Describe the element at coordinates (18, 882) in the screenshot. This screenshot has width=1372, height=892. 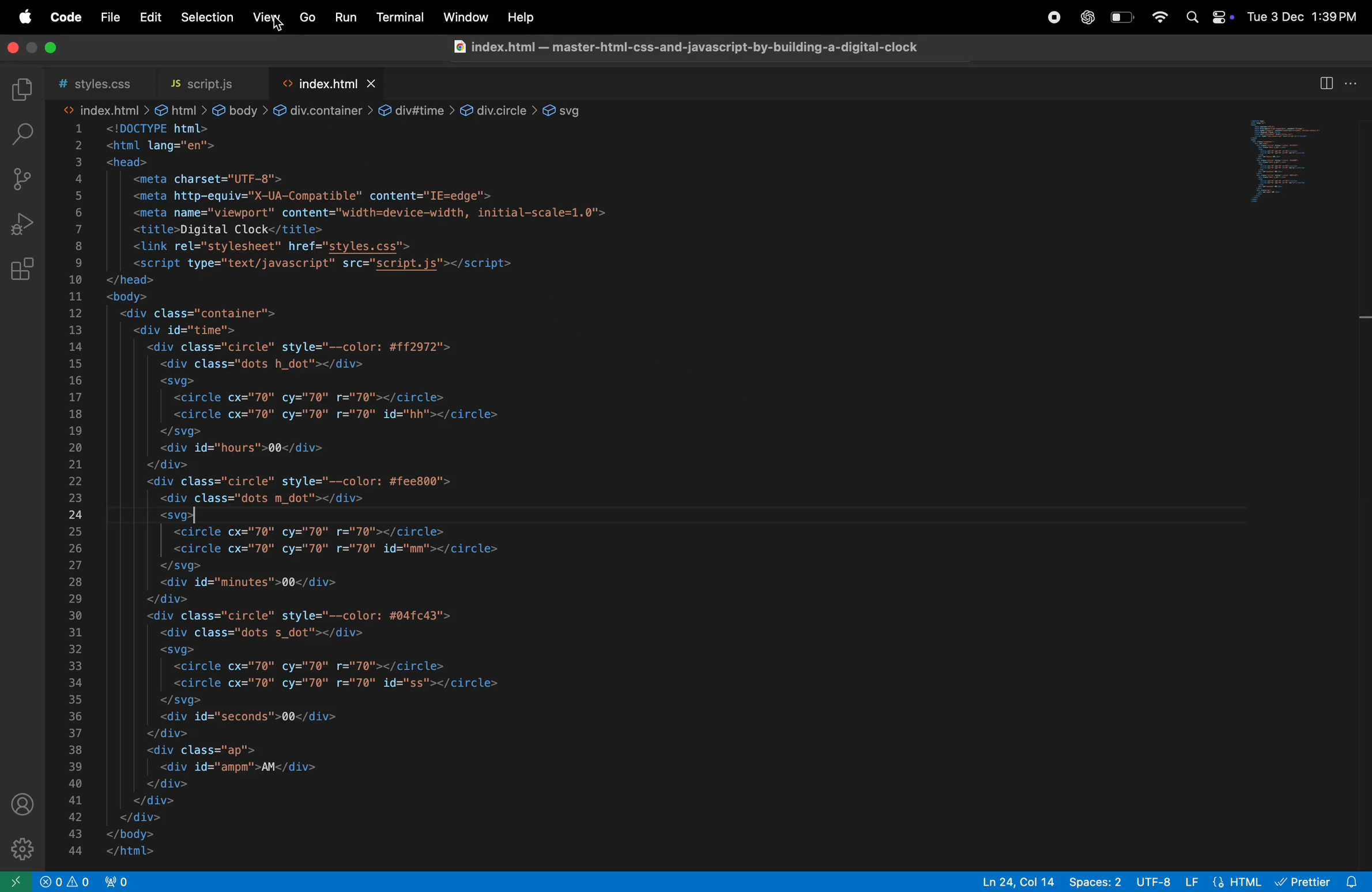
I see `open remote window` at that location.